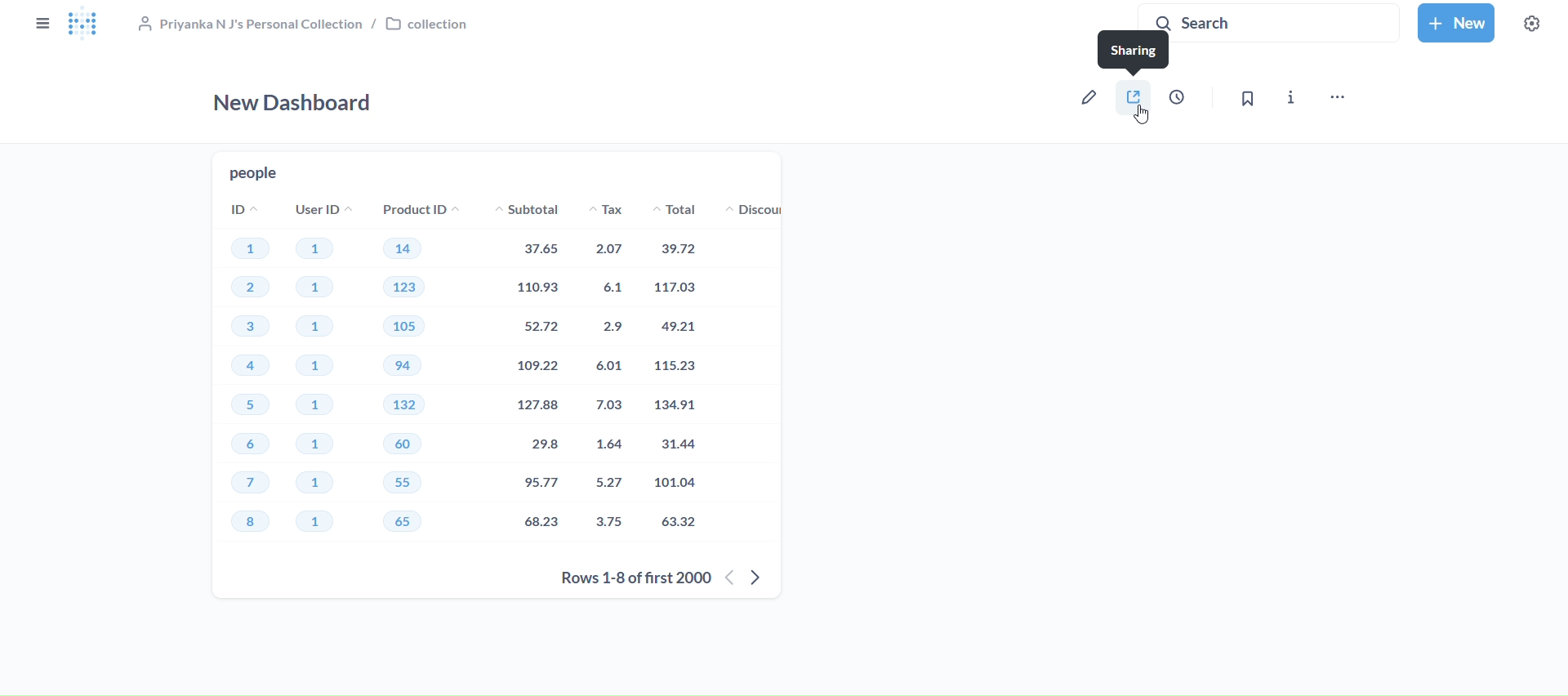 This screenshot has height=696, width=1568. Describe the element at coordinates (728, 578) in the screenshot. I see `previous` at that location.